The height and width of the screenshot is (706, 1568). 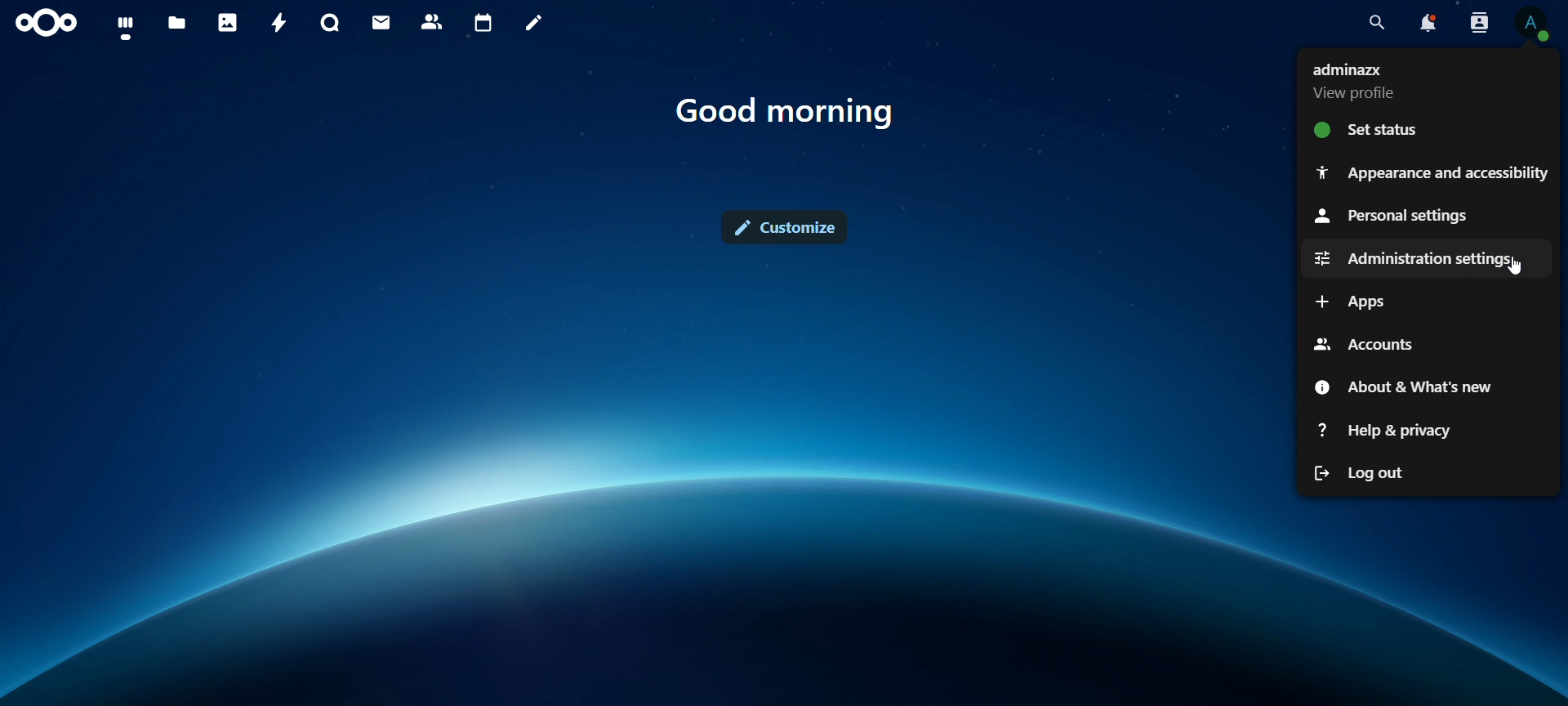 I want to click on apps, so click(x=1346, y=301).